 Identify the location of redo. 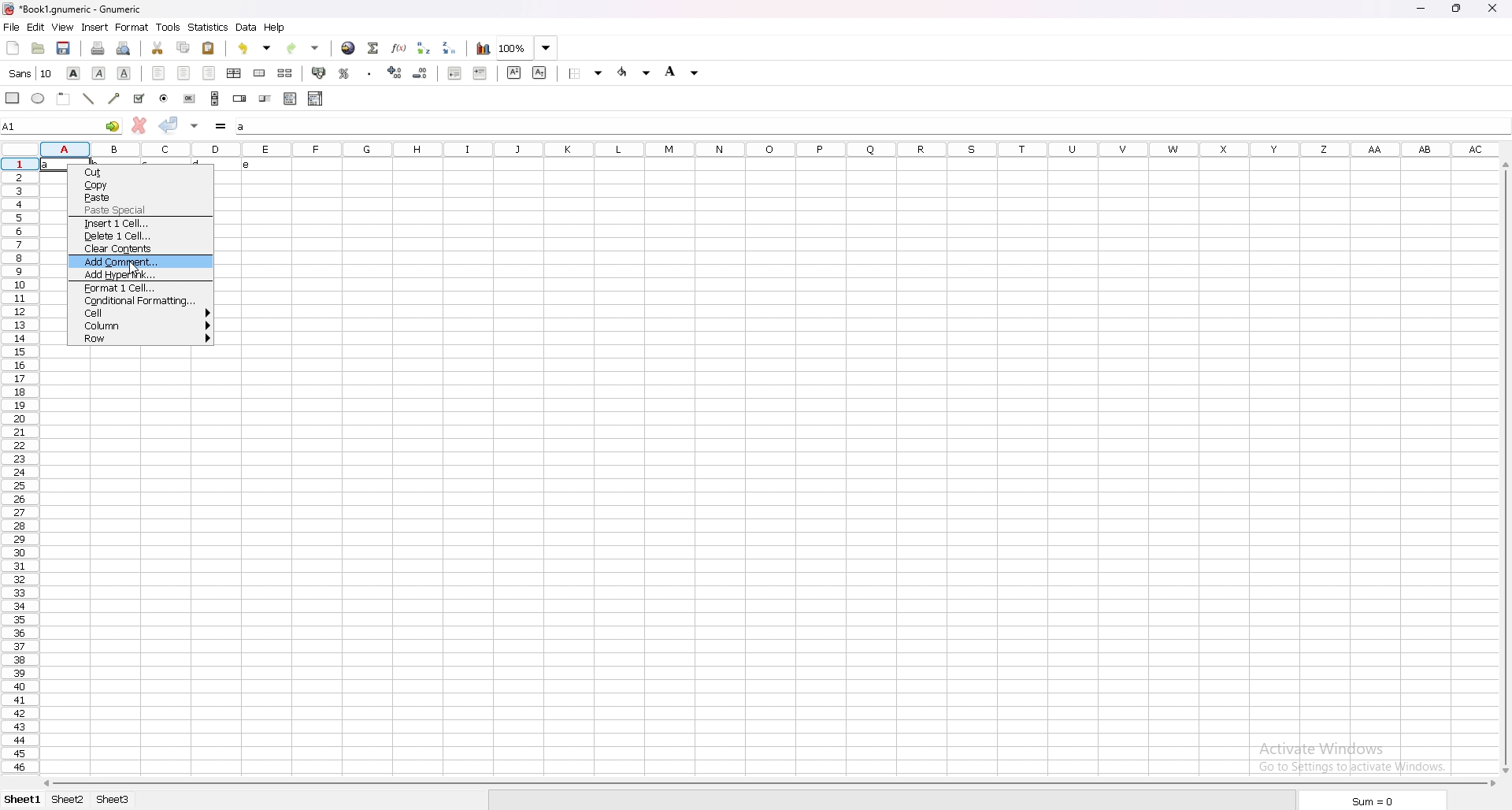
(303, 48).